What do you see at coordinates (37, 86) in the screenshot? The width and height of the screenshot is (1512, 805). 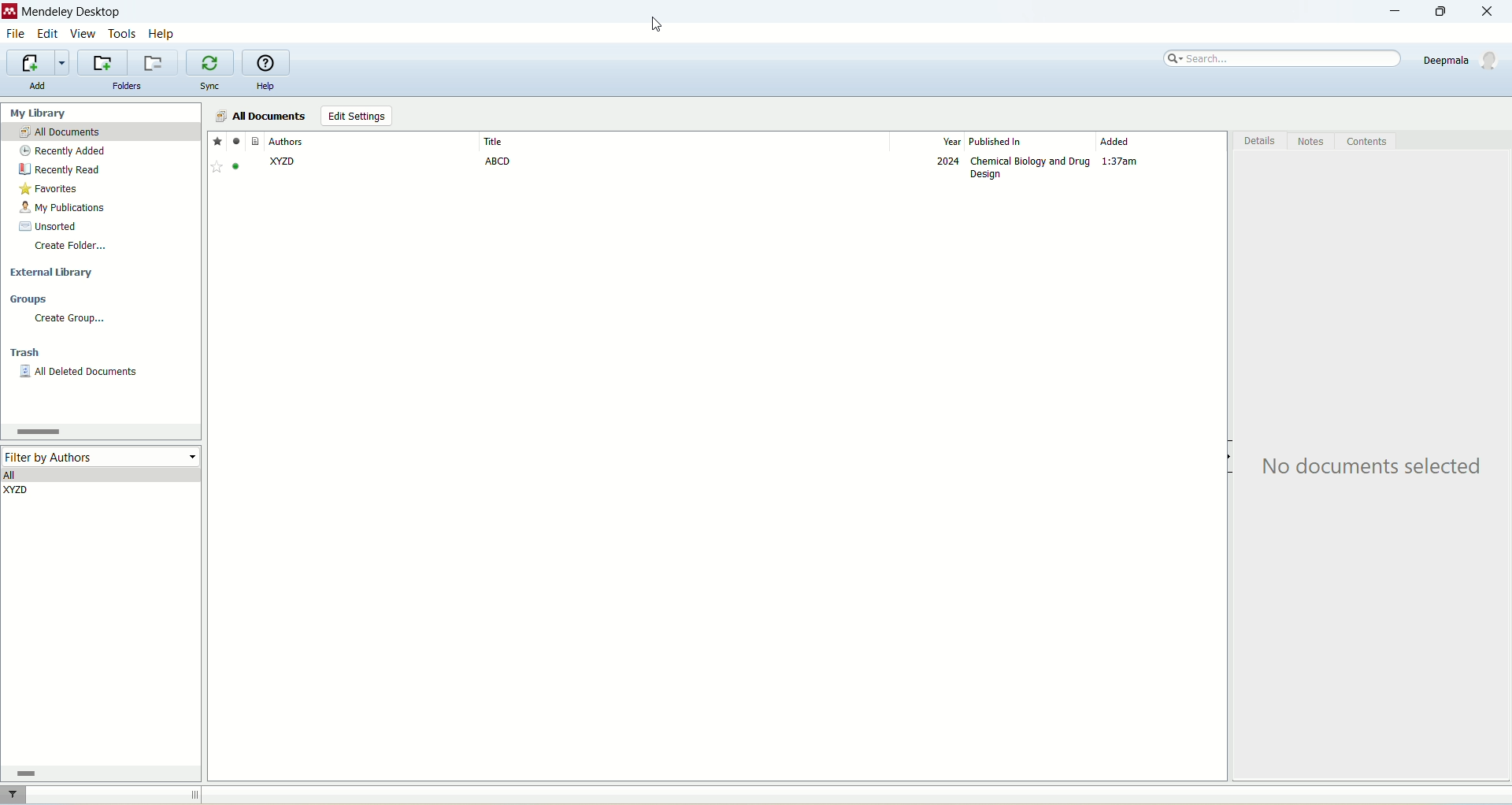 I see `add` at bounding box center [37, 86].